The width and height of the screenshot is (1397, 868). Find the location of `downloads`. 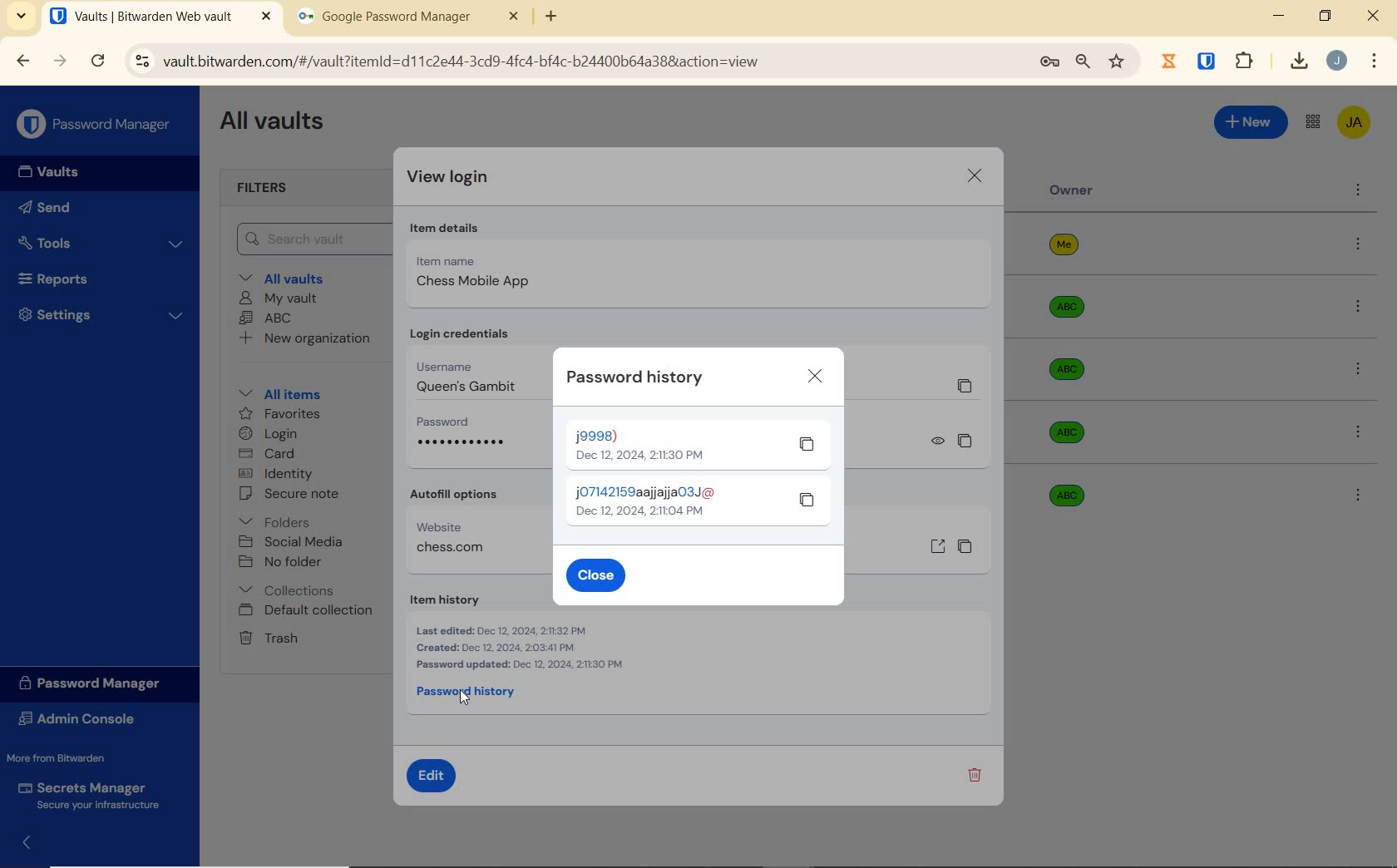

downloads is located at coordinates (1294, 62).